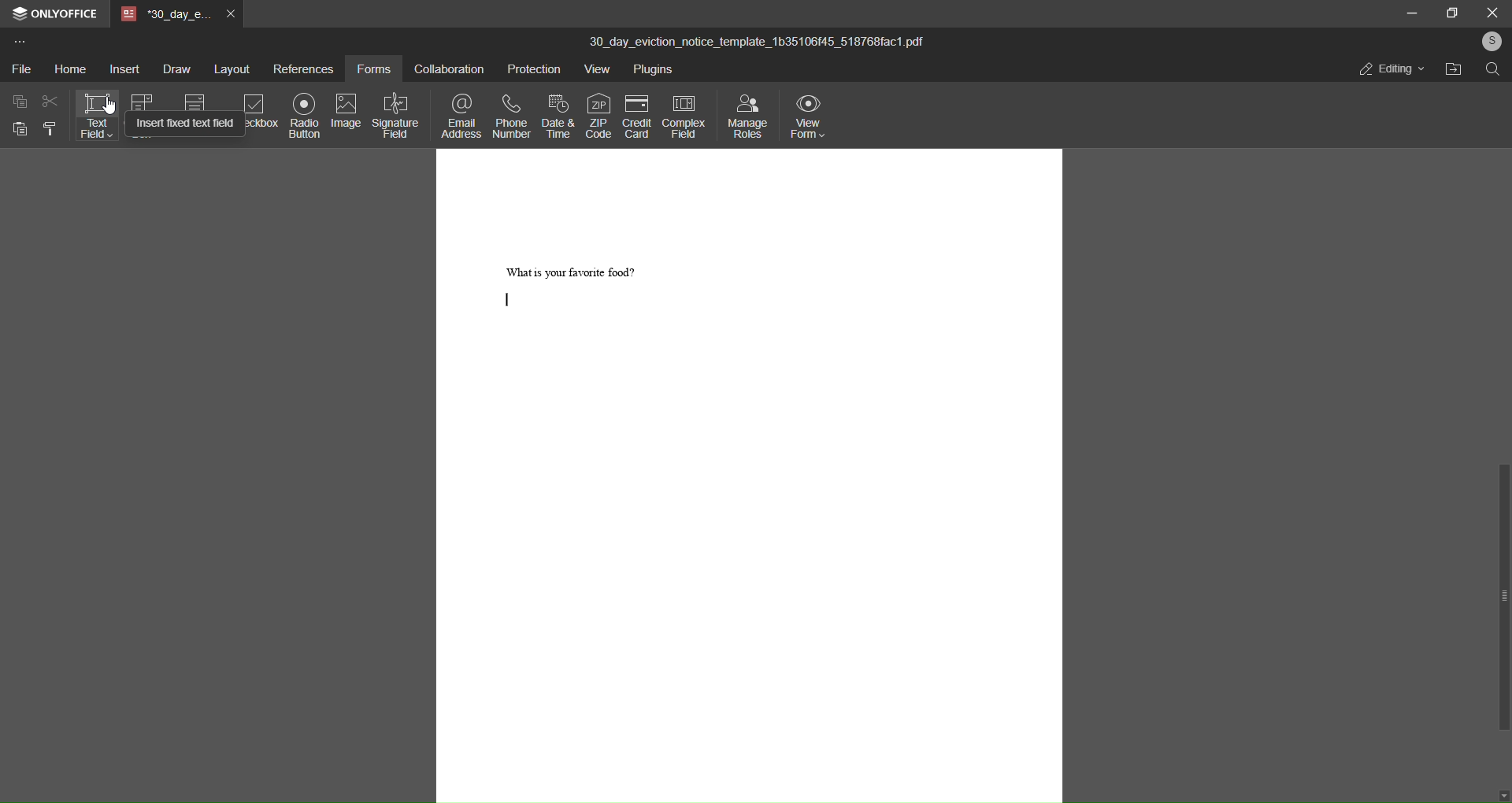 The height and width of the screenshot is (803, 1512). Describe the element at coordinates (50, 103) in the screenshot. I see `cut` at that location.